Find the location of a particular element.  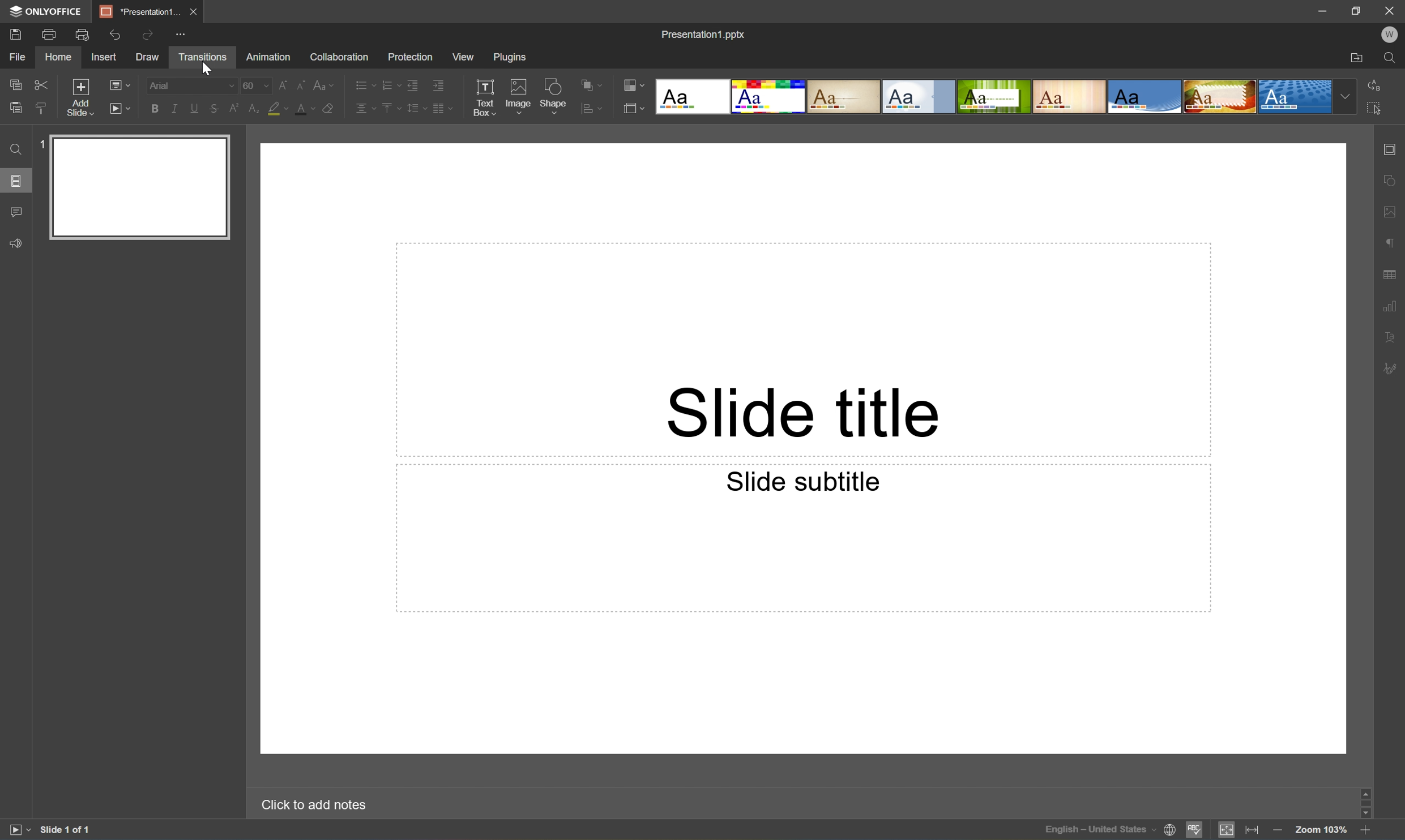

Decrease indent is located at coordinates (413, 85).